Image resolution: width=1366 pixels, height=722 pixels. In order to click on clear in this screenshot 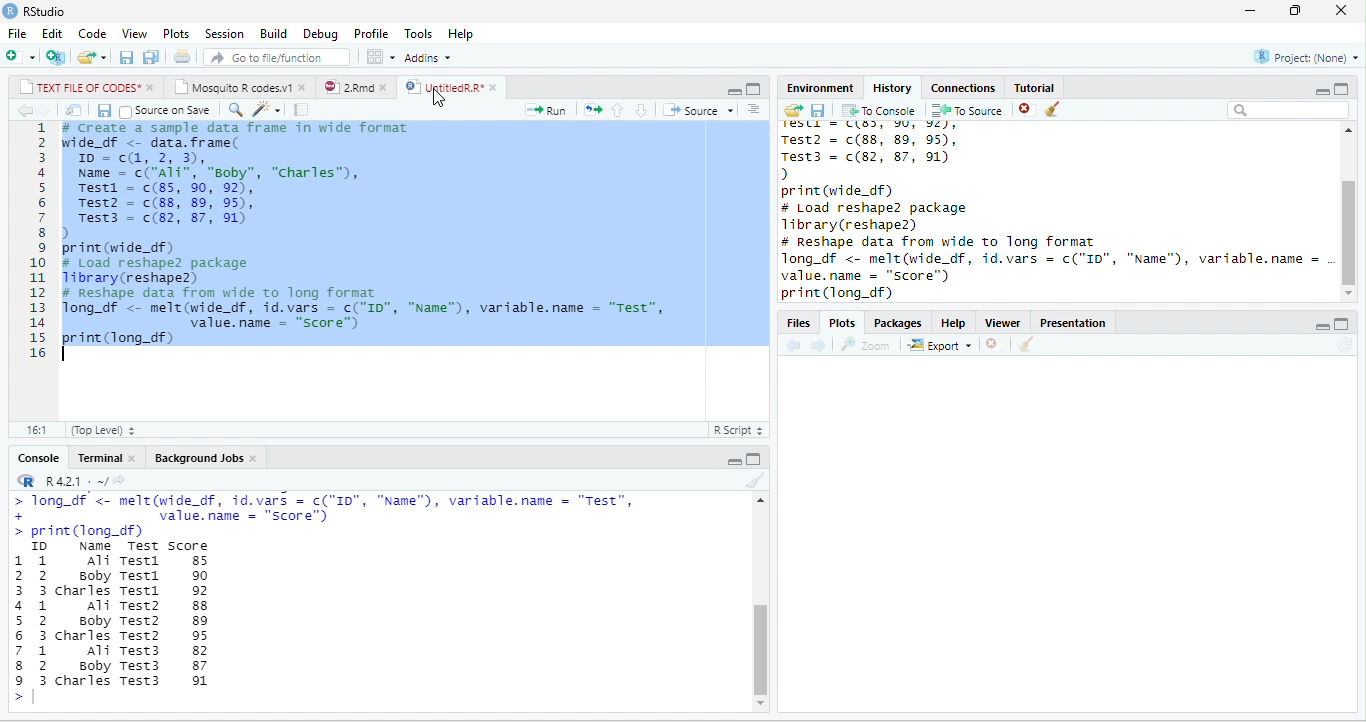, I will do `click(1053, 109)`.